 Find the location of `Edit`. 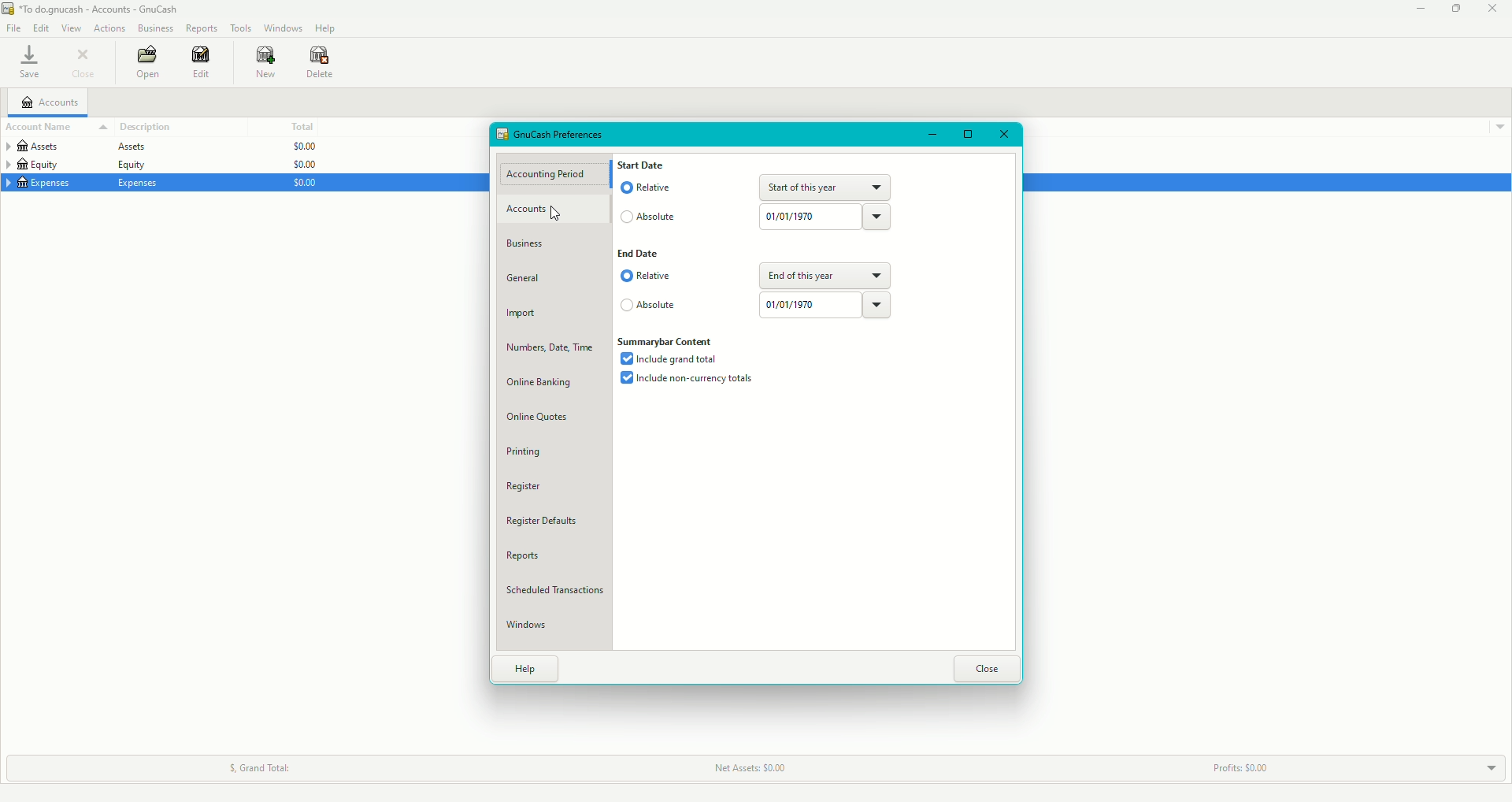

Edit is located at coordinates (39, 28).